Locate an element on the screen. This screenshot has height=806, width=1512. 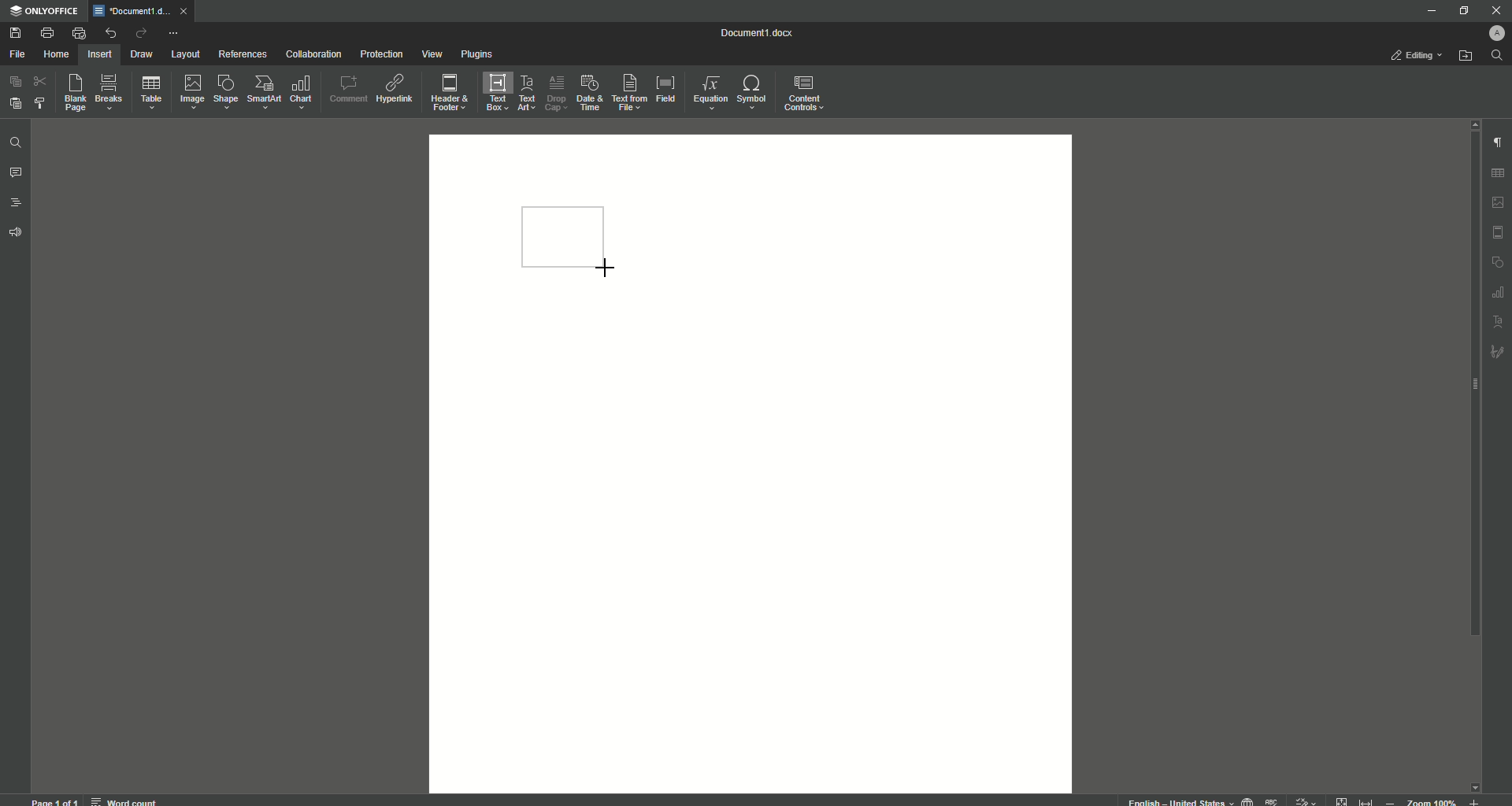
 Paragraph Settings is located at coordinates (1496, 142).